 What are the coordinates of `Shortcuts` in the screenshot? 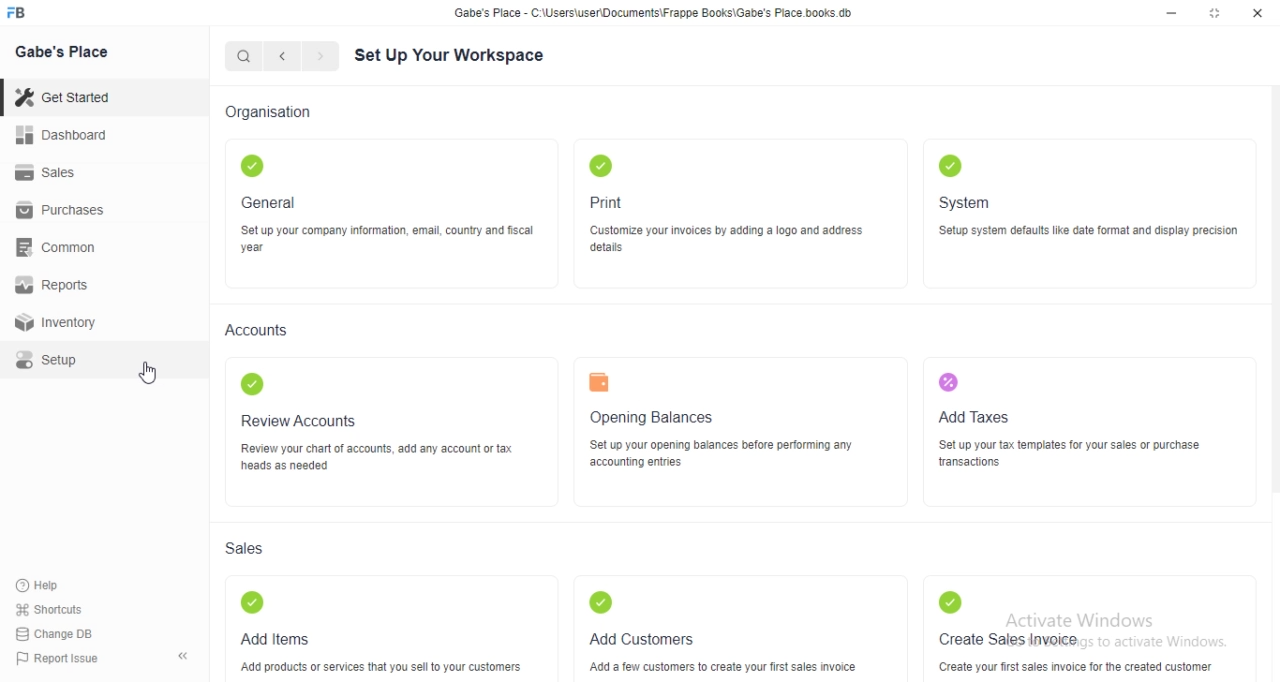 It's located at (56, 608).